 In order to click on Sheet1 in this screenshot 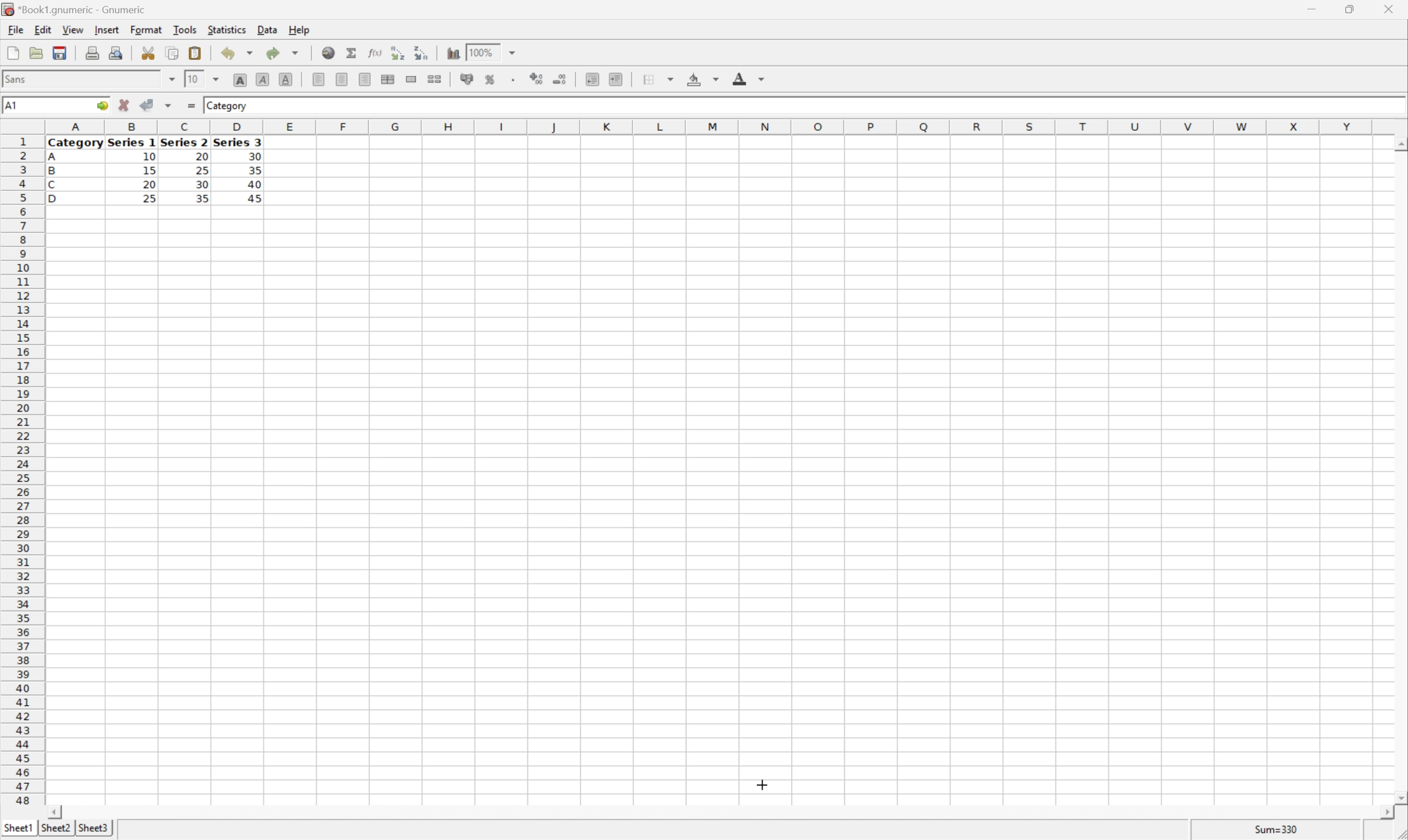, I will do `click(18, 829)`.